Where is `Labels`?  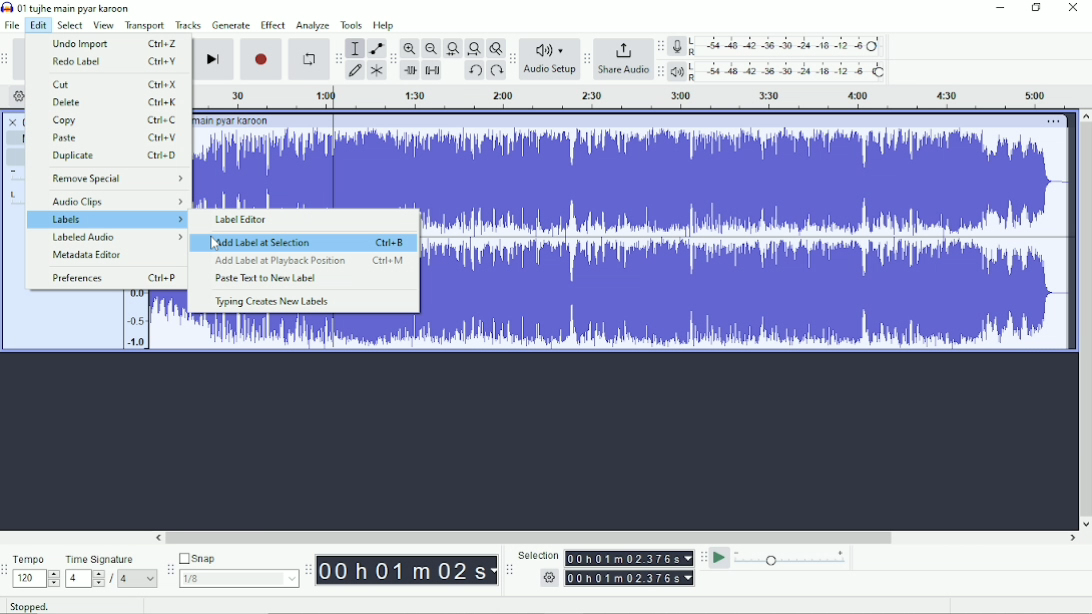 Labels is located at coordinates (108, 219).